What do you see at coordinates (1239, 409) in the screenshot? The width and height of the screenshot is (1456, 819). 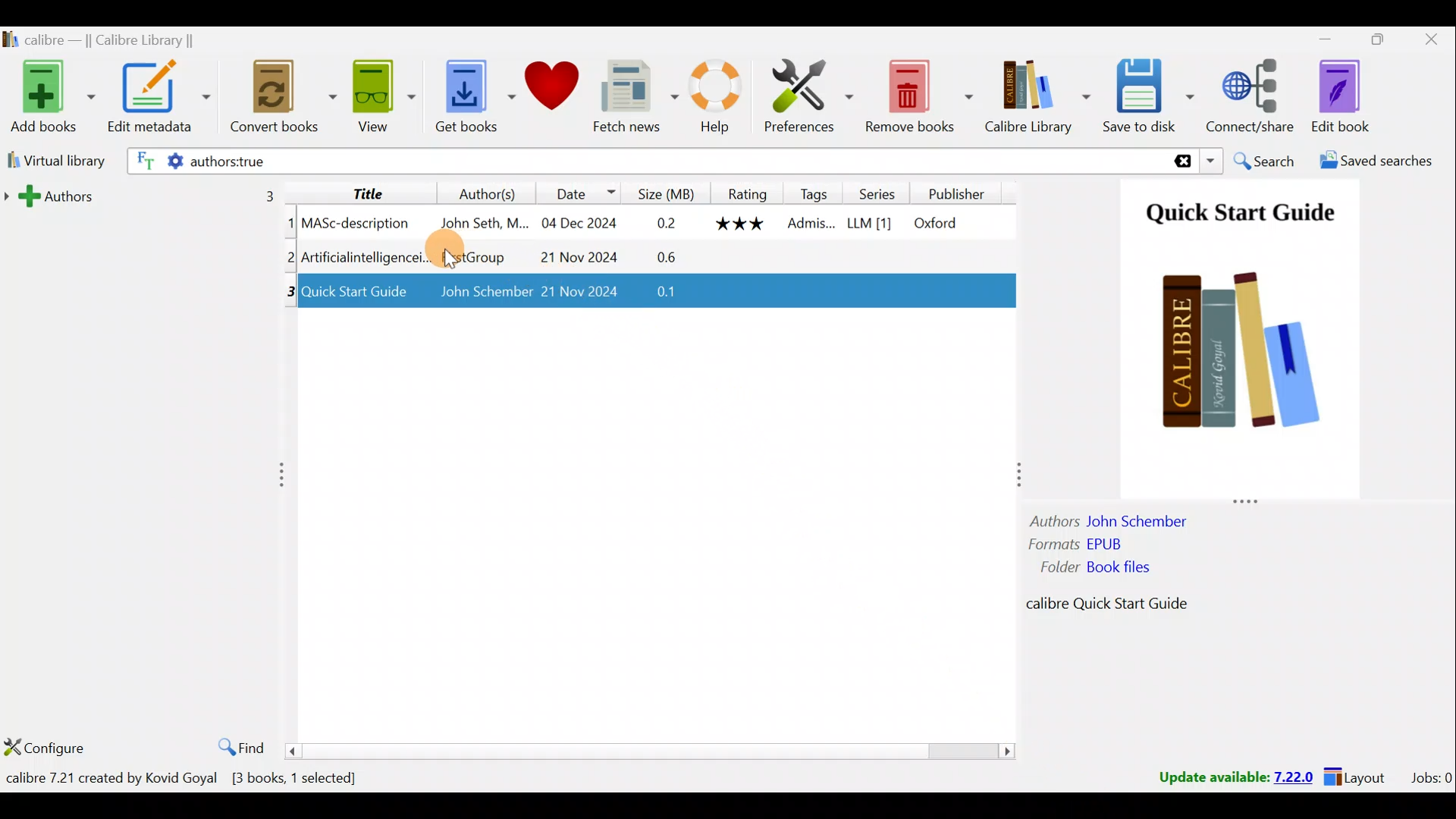 I see `Book preview column` at bounding box center [1239, 409].